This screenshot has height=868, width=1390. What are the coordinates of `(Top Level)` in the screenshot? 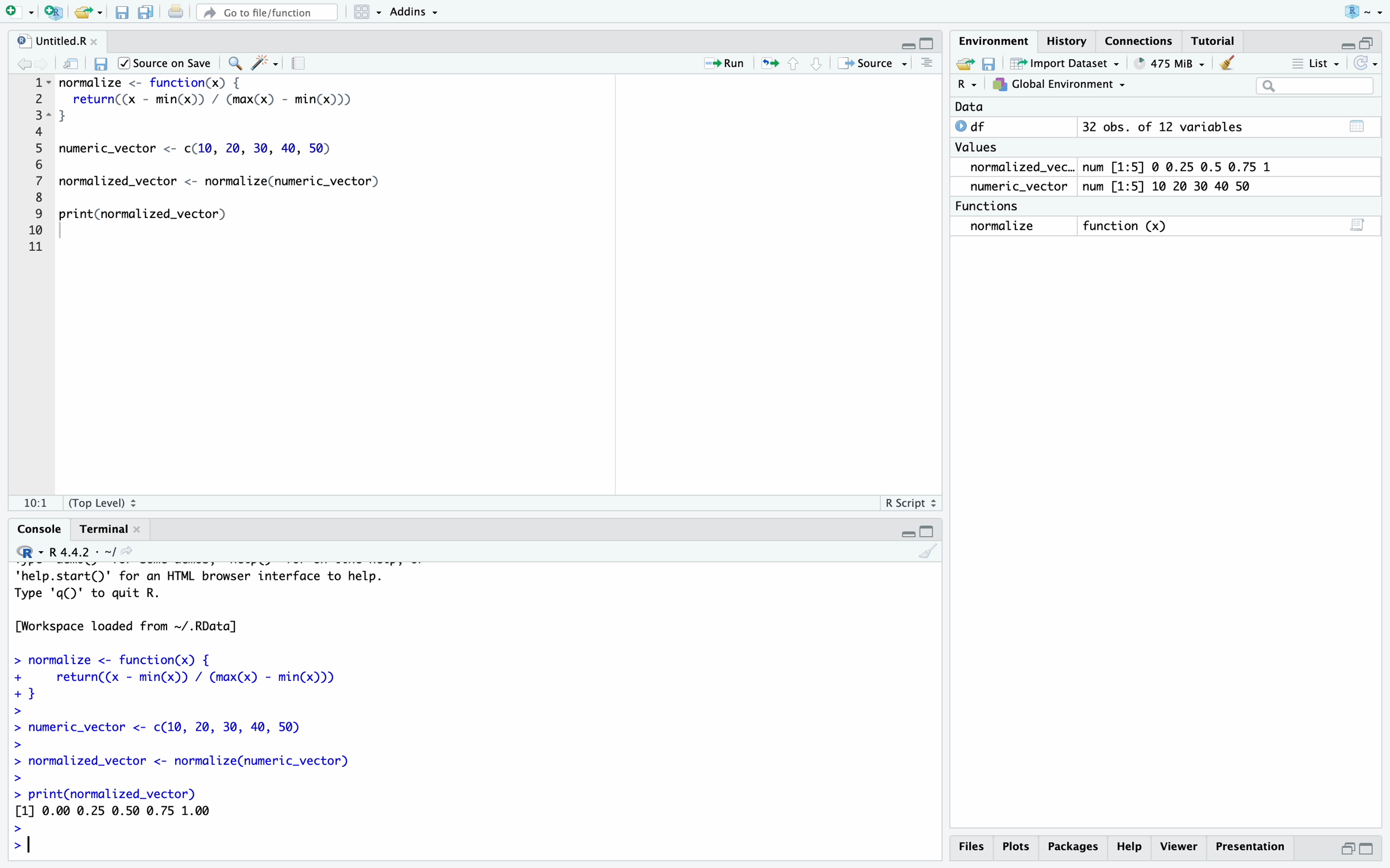 It's located at (108, 501).